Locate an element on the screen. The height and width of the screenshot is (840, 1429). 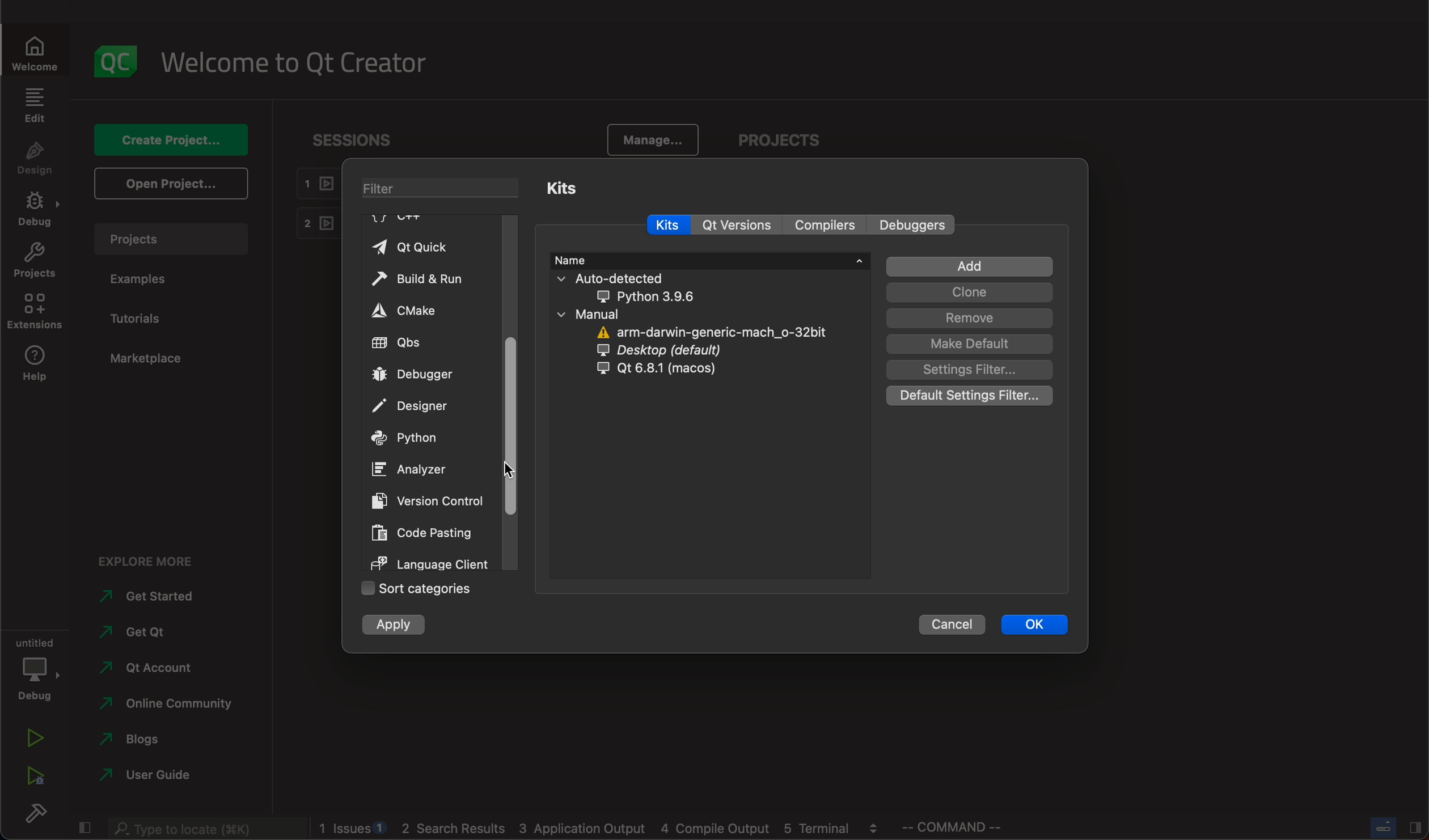
sort  is located at coordinates (418, 588).